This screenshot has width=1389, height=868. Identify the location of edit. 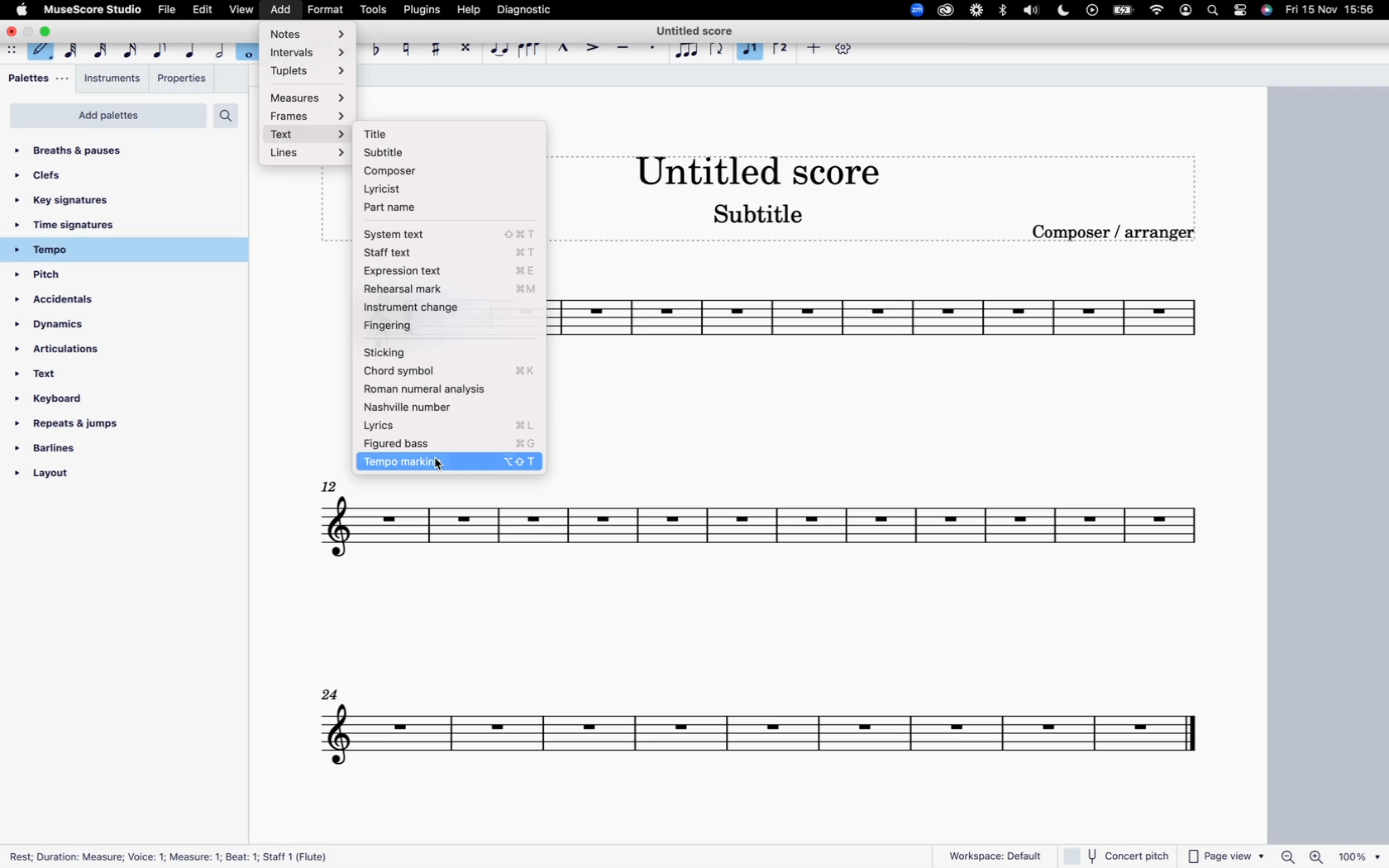
(203, 9).